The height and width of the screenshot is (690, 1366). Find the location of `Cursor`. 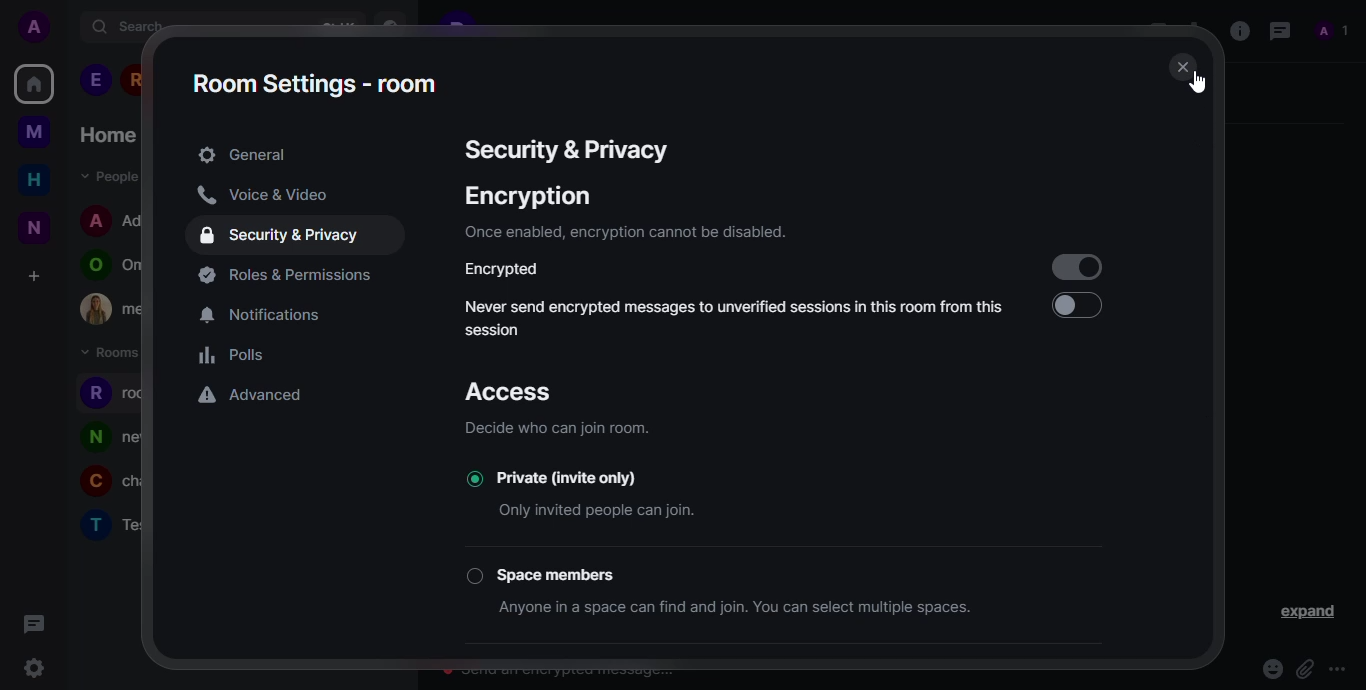

Cursor is located at coordinates (1199, 81).